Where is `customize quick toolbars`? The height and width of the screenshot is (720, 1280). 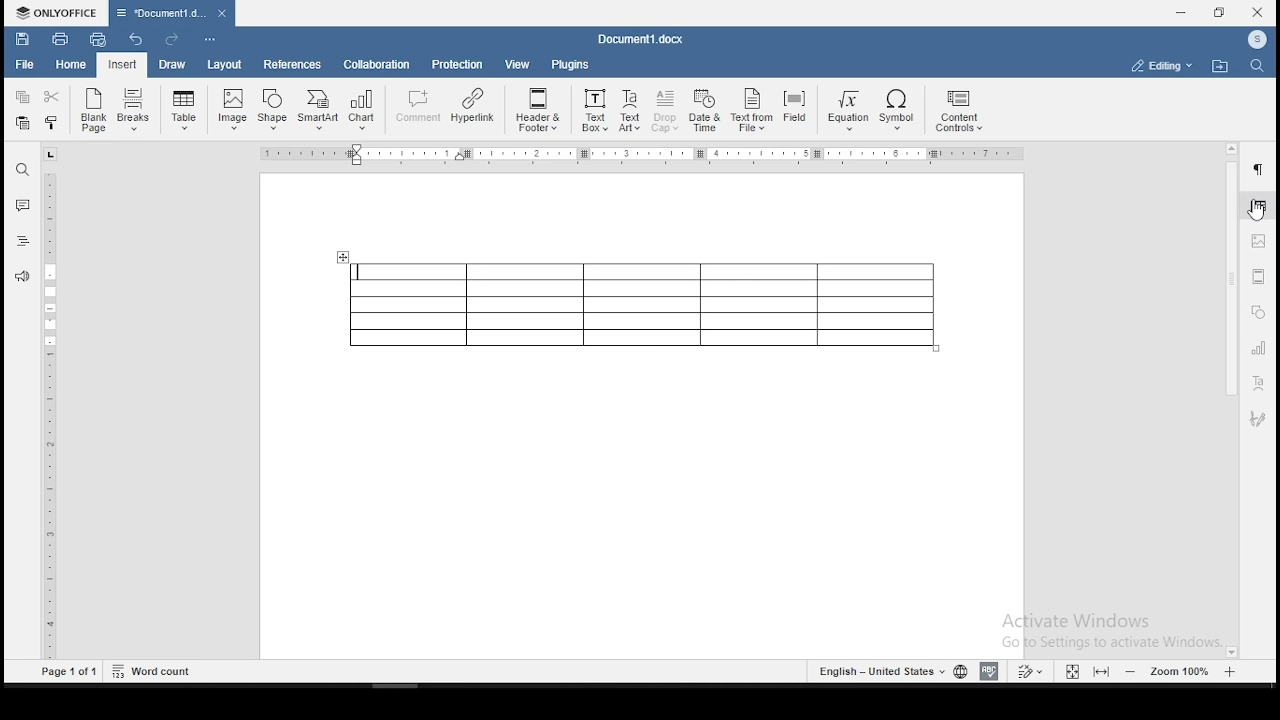
customize quick toolbars is located at coordinates (210, 41).